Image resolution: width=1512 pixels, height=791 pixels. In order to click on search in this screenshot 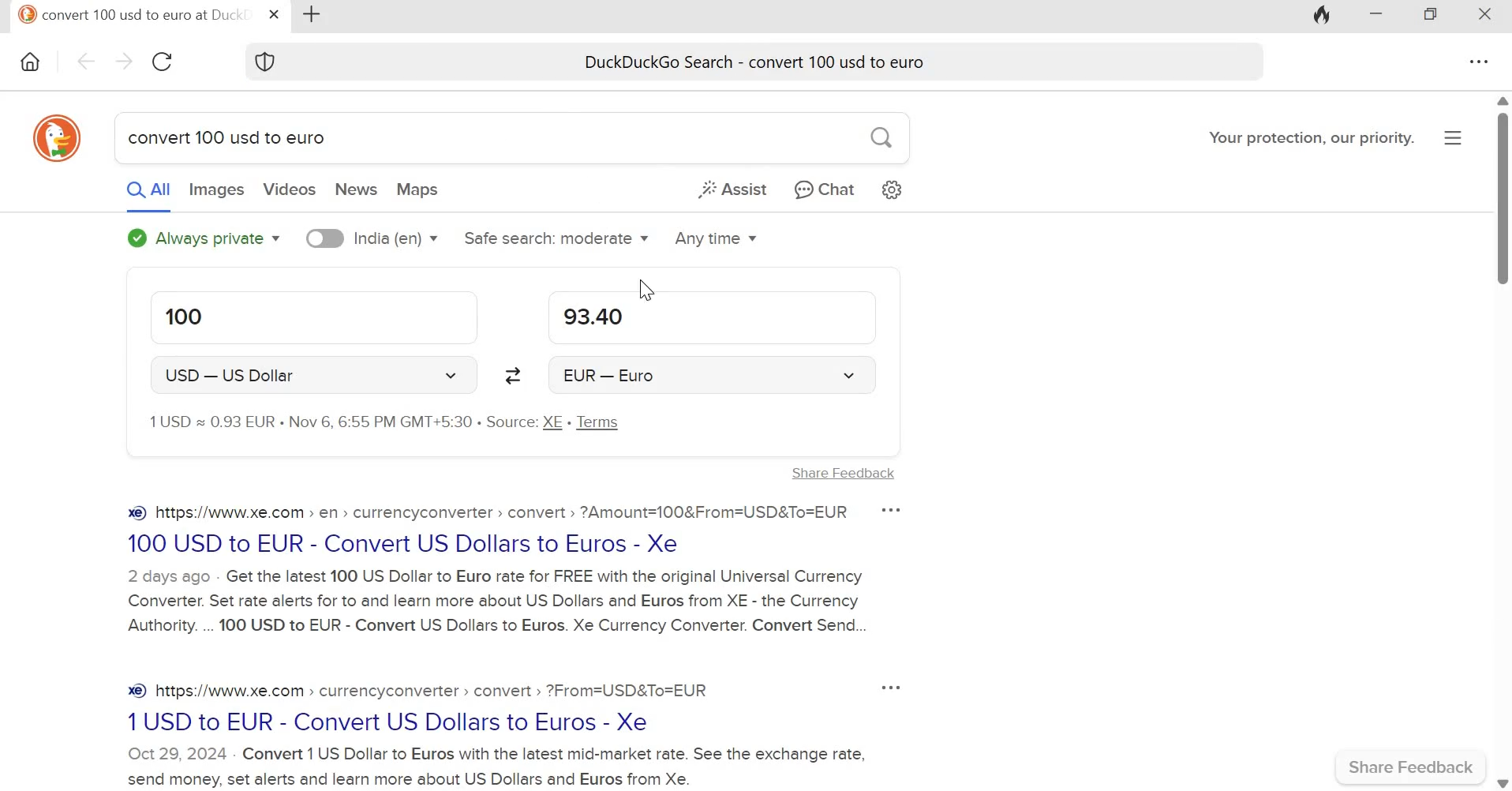, I will do `click(877, 137)`.